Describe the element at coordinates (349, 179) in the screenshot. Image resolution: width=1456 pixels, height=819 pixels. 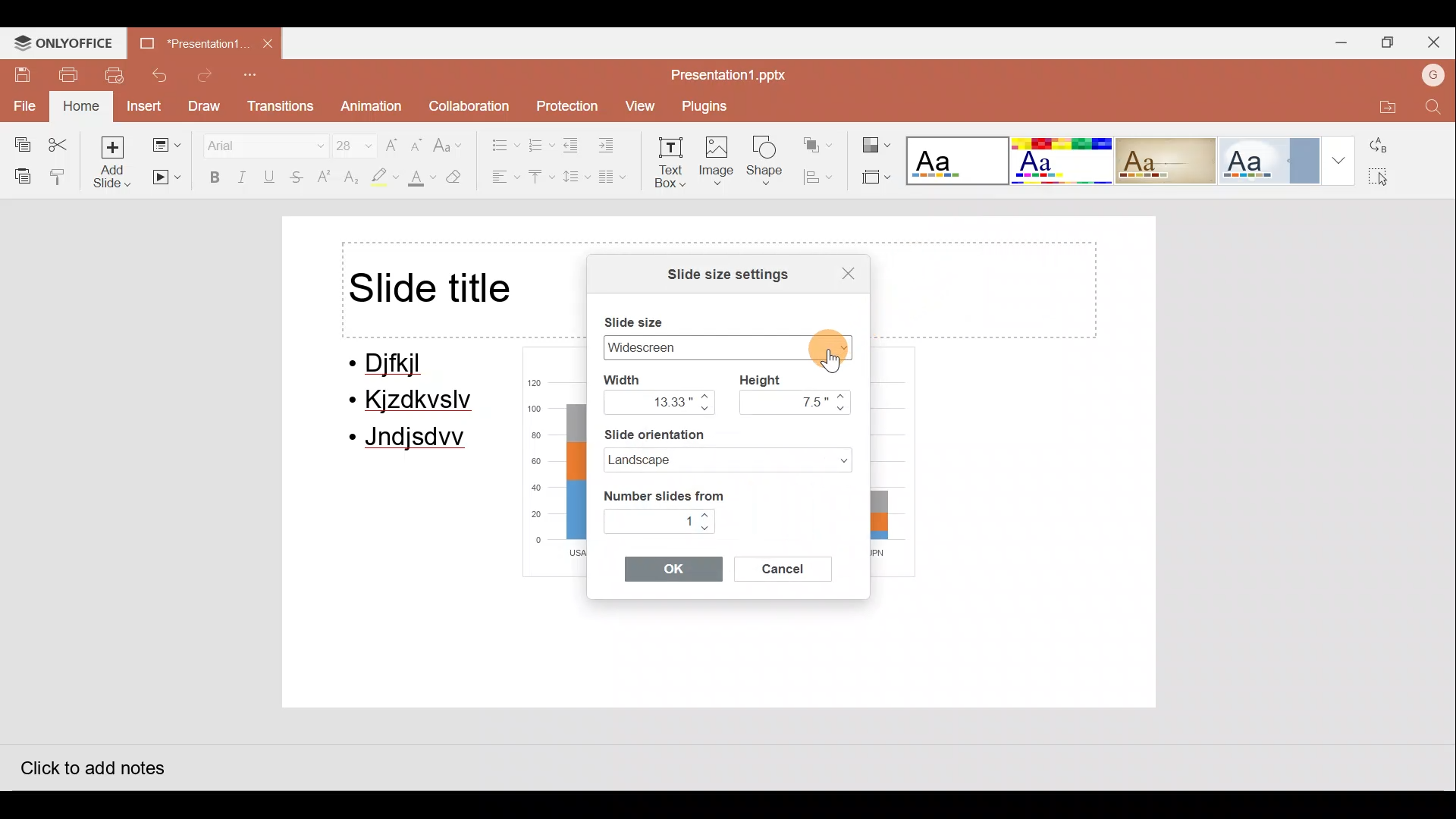
I see `Subscript` at that location.